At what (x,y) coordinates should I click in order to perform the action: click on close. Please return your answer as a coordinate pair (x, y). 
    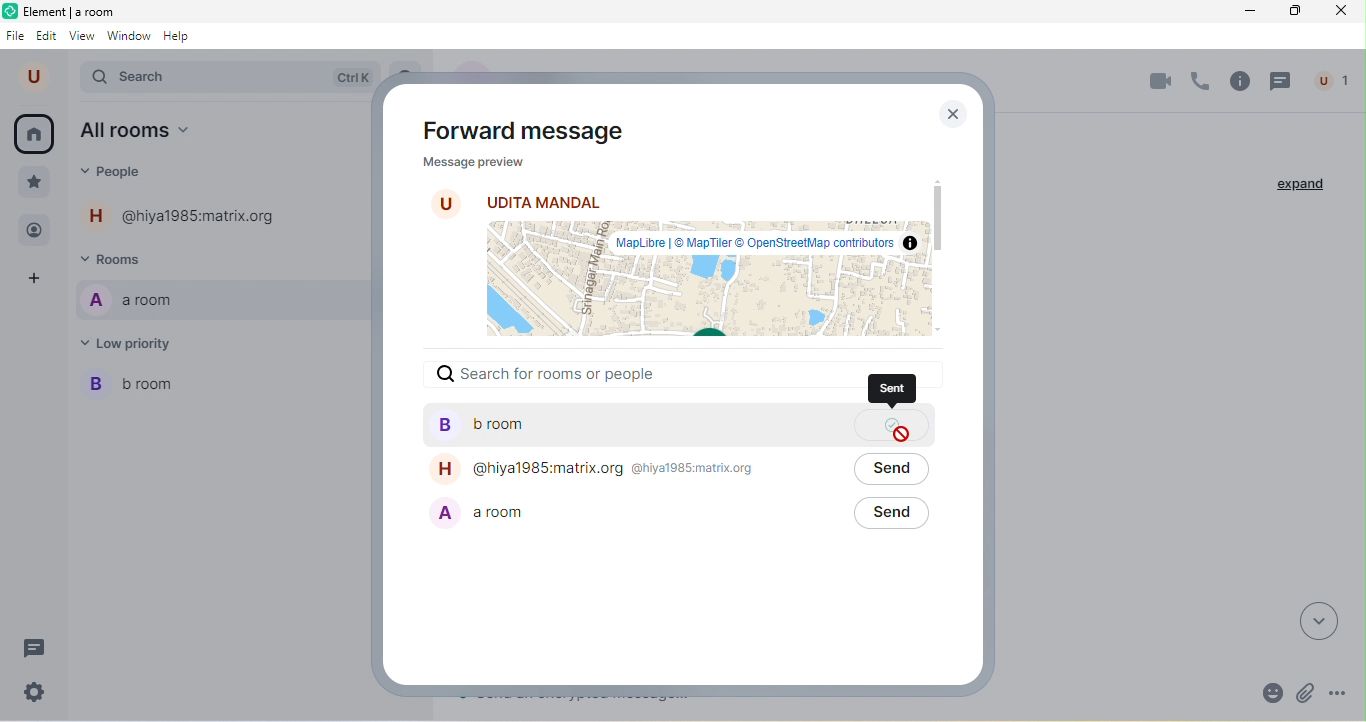
    Looking at the image, I should click on (1340, 11).